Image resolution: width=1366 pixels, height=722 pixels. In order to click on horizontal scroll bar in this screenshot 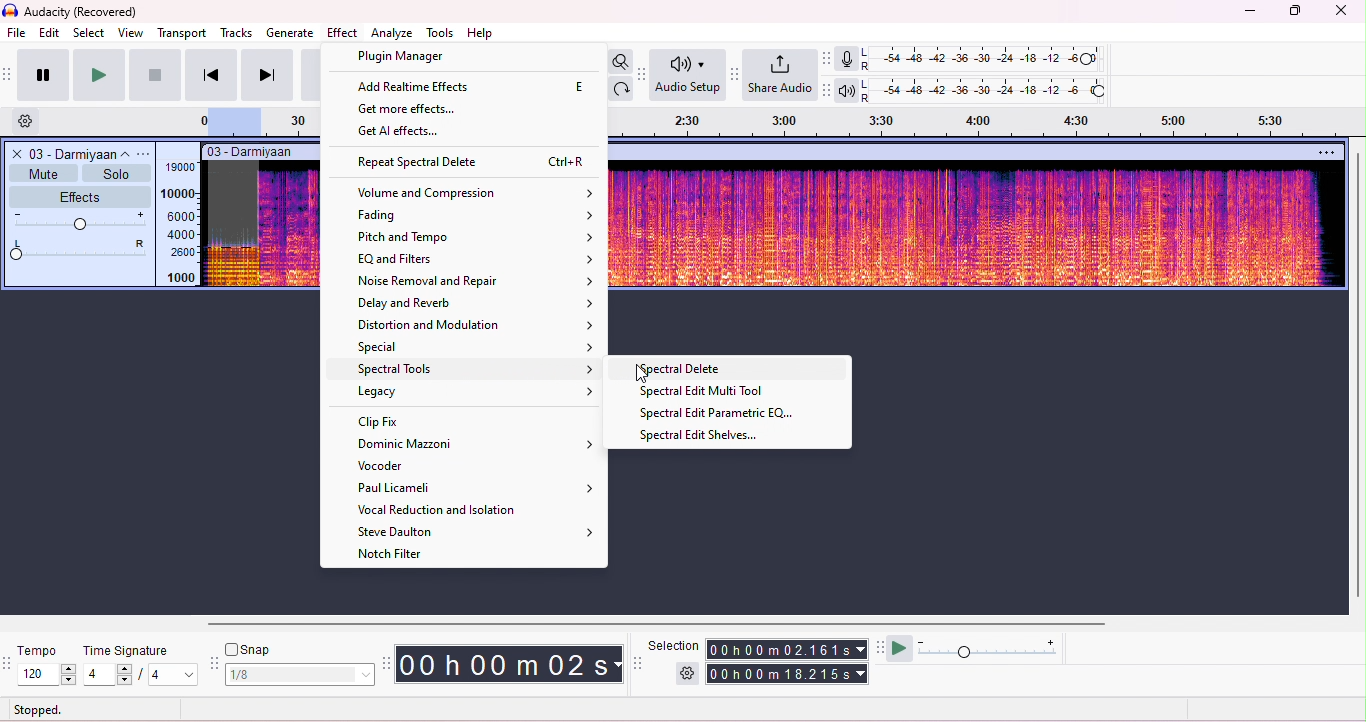, I will do `click(664, 622)`.